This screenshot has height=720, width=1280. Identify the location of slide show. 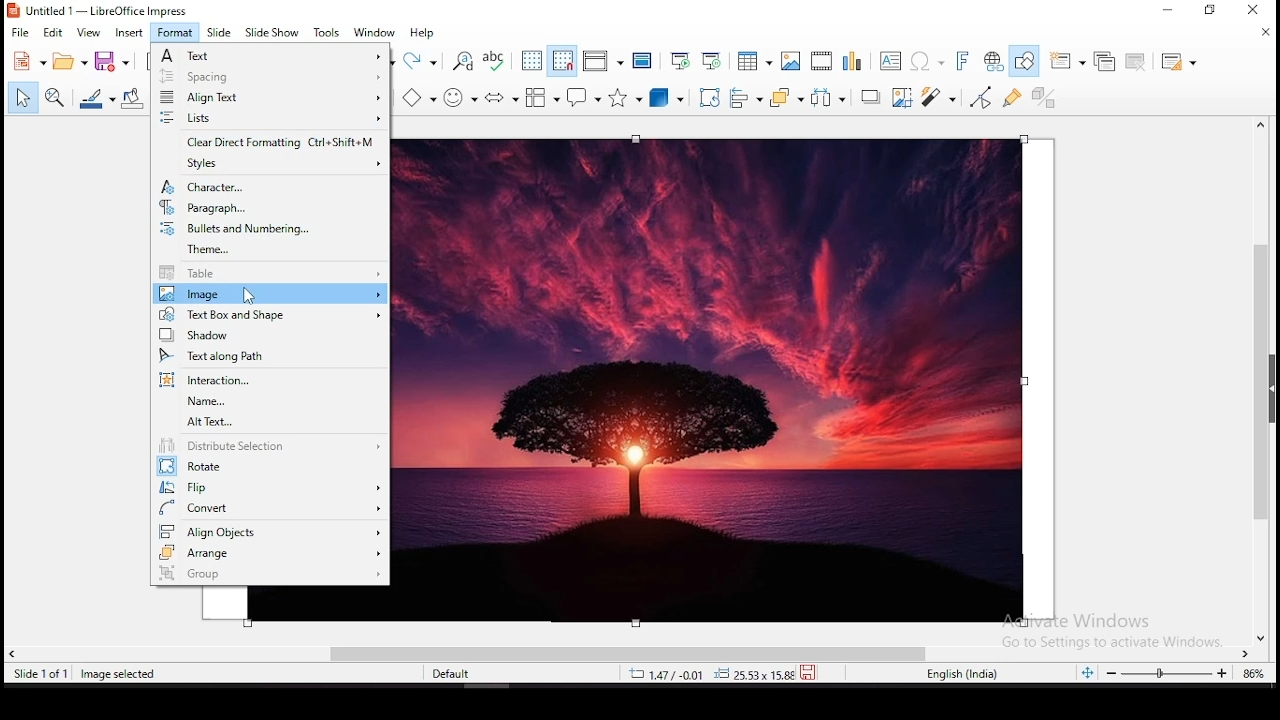
(273, 32).